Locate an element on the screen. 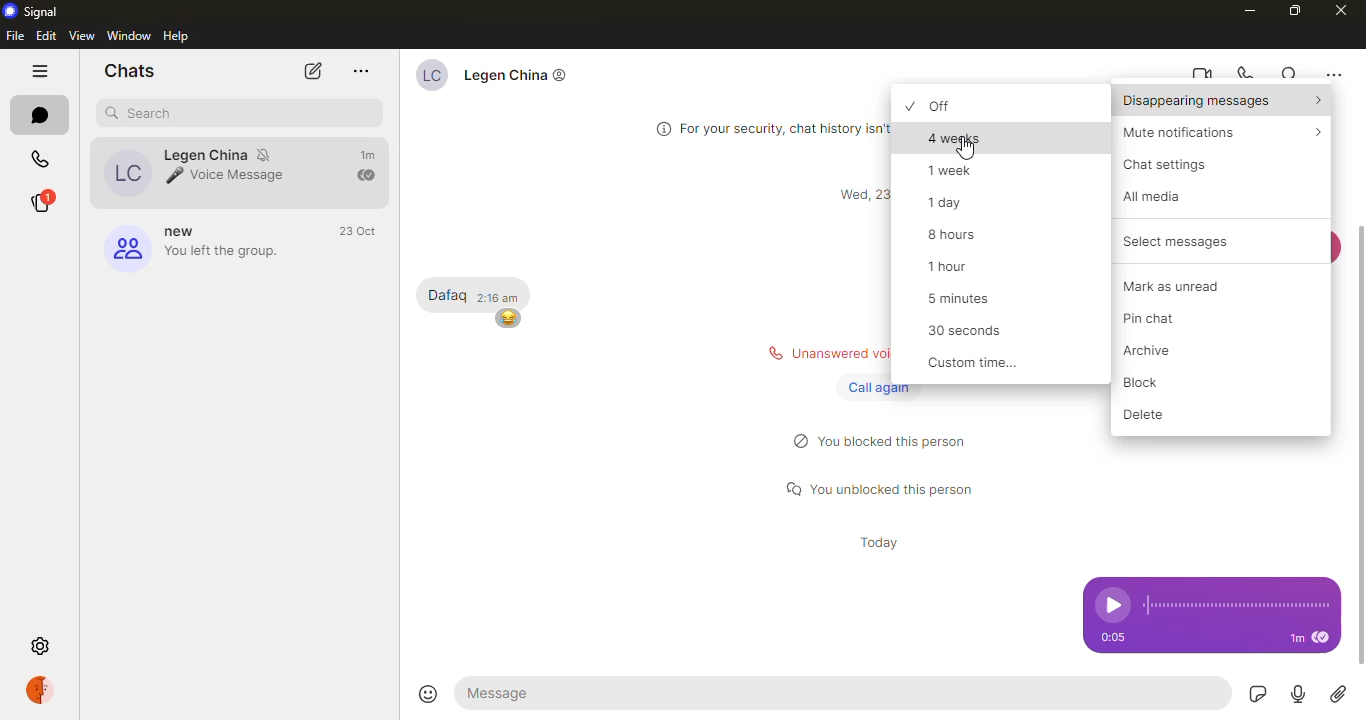 The width and height of the screenshot is (1366, 720). signal is located at coordinates (30, 11).